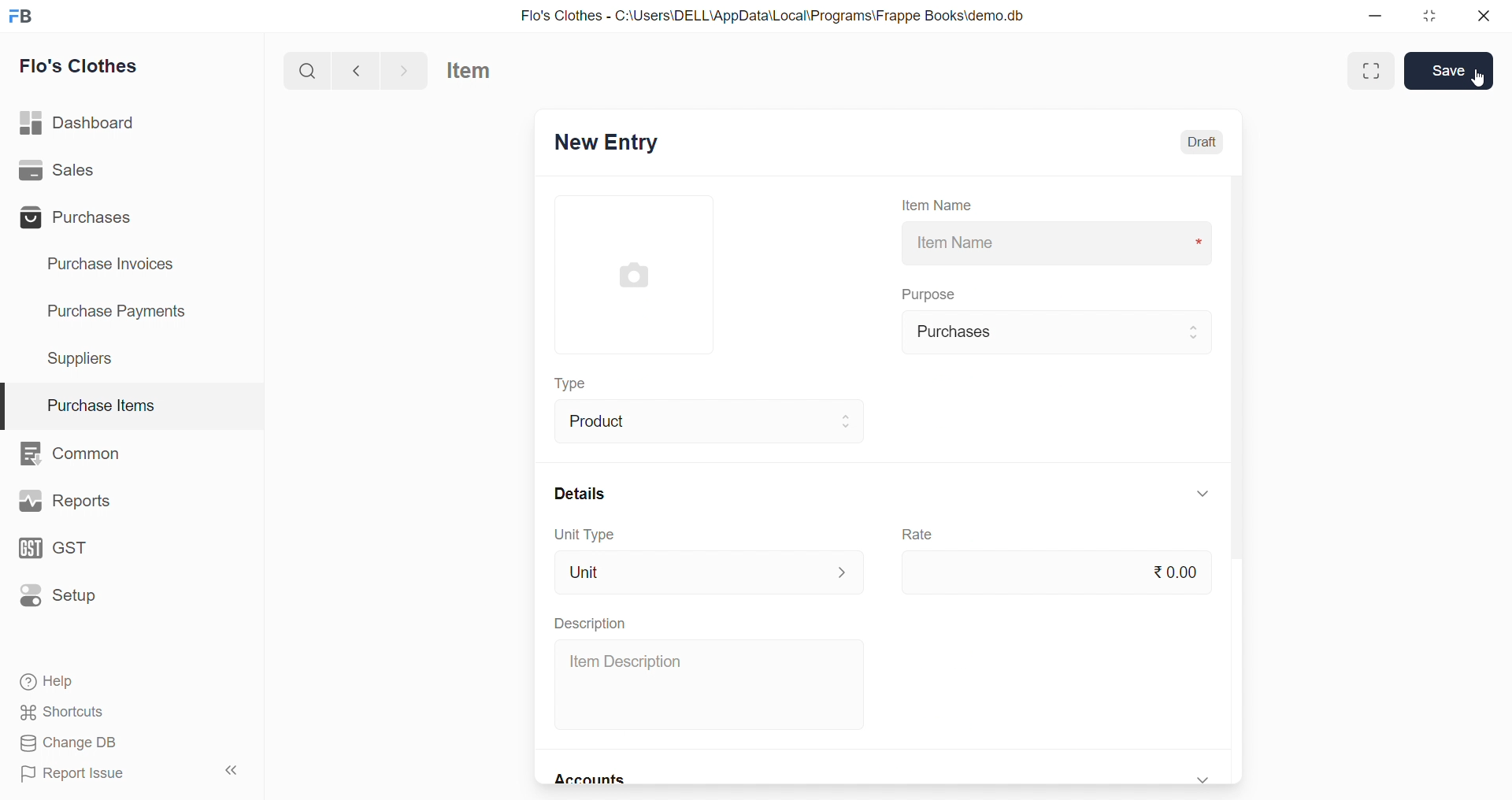  What do you see at coordinates (1430, 16) in the screenshot?
I see `resize` at bounding box center [1430, 16].